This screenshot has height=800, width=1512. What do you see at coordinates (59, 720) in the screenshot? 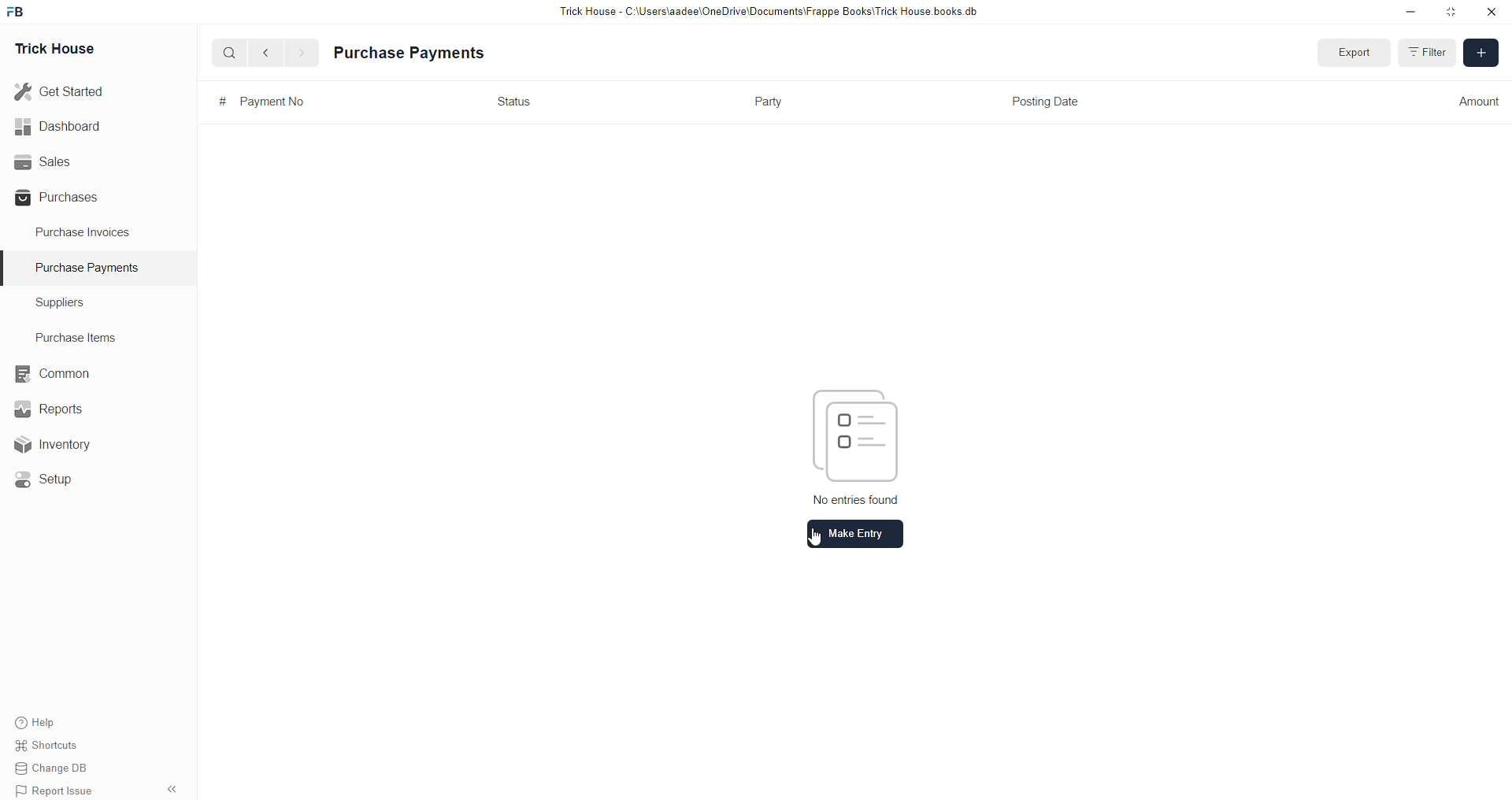
I see ` Help` at bounding box center [59, 720].